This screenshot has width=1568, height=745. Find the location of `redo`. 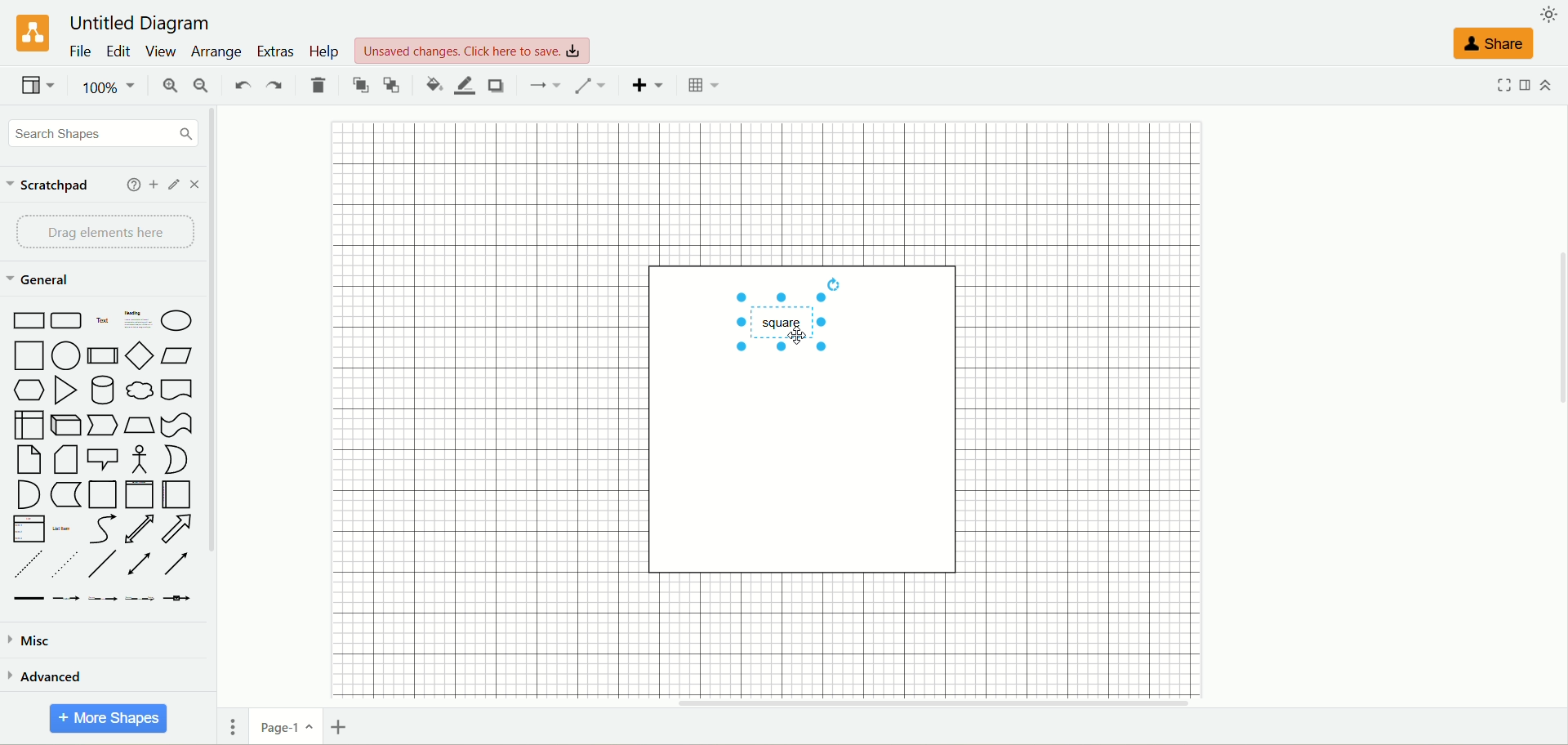

redo is located at coordinates (271, 87).